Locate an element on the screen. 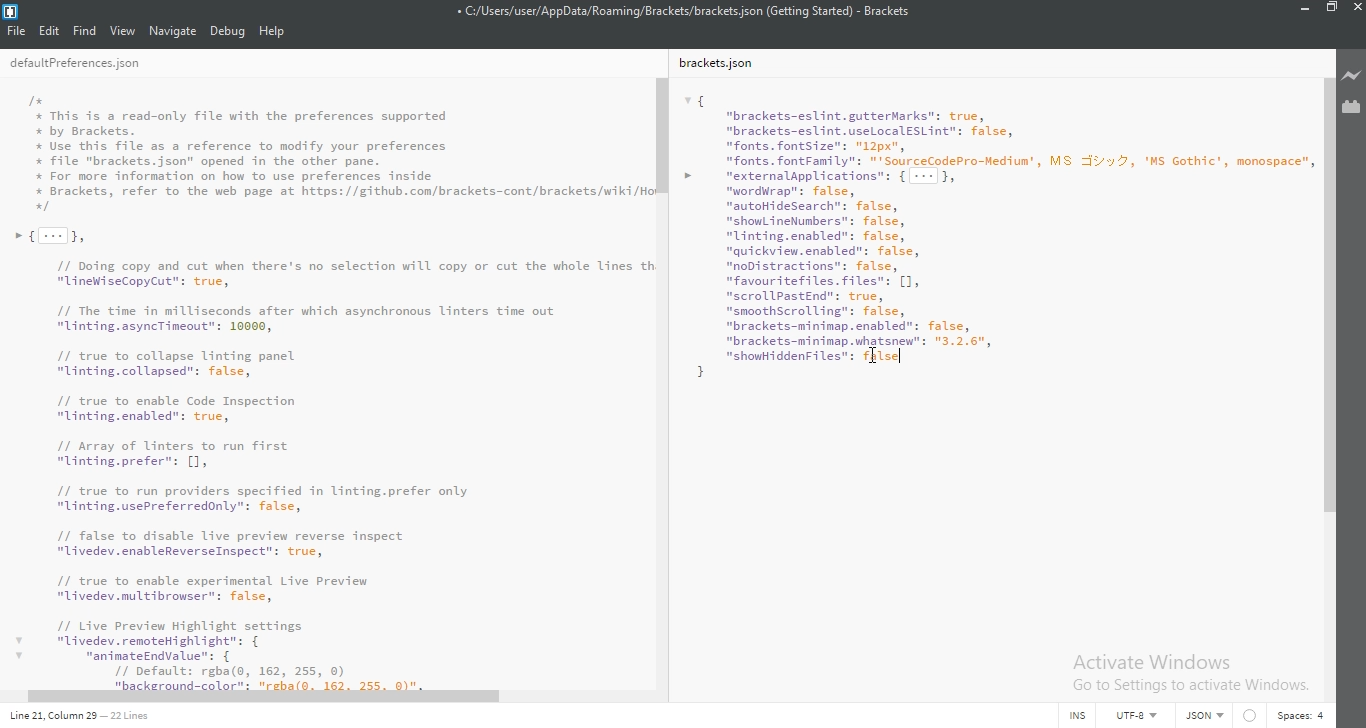  I+# This is a read-only file with the preferences supported# by Brackets.Use this file as a reference to modify your preferences+ file "brackets.json" opened in the other pane.* For more information on how to use preferences inside+ Brackets, refer to the web page at https://github.con/brackets-cont/brackets/wiki/H+»{[-]}// Doing copy and cut when there's no selection will copy or cut the whole Lines t“LineWiseCopyCut": true,// The time in milliseconds after which asynchronous linters time out"linting.asyncTineout": 10000,// true to collapse linting panel"linting.collapsed”: false,// true to enable Code Inspection"linting.enabled": true,71 Array of inters to run first"Unting.prefer"s [1// true to run providers specified in linting.prefer only"linting.usePreferredonly": false,// false to disable live preview reverse inspect"ivedev. enableReverseInspect”: true,11 true to enable experimental Live Preview"Livedev.multibrowser": false,/1 Live Preview Highlight settingsv "livedev.remoteHighlight": {v “aninateEndvalue: {// Default: rgba(o, 162, 255, 0)21 is located at coordinates (327, 385).